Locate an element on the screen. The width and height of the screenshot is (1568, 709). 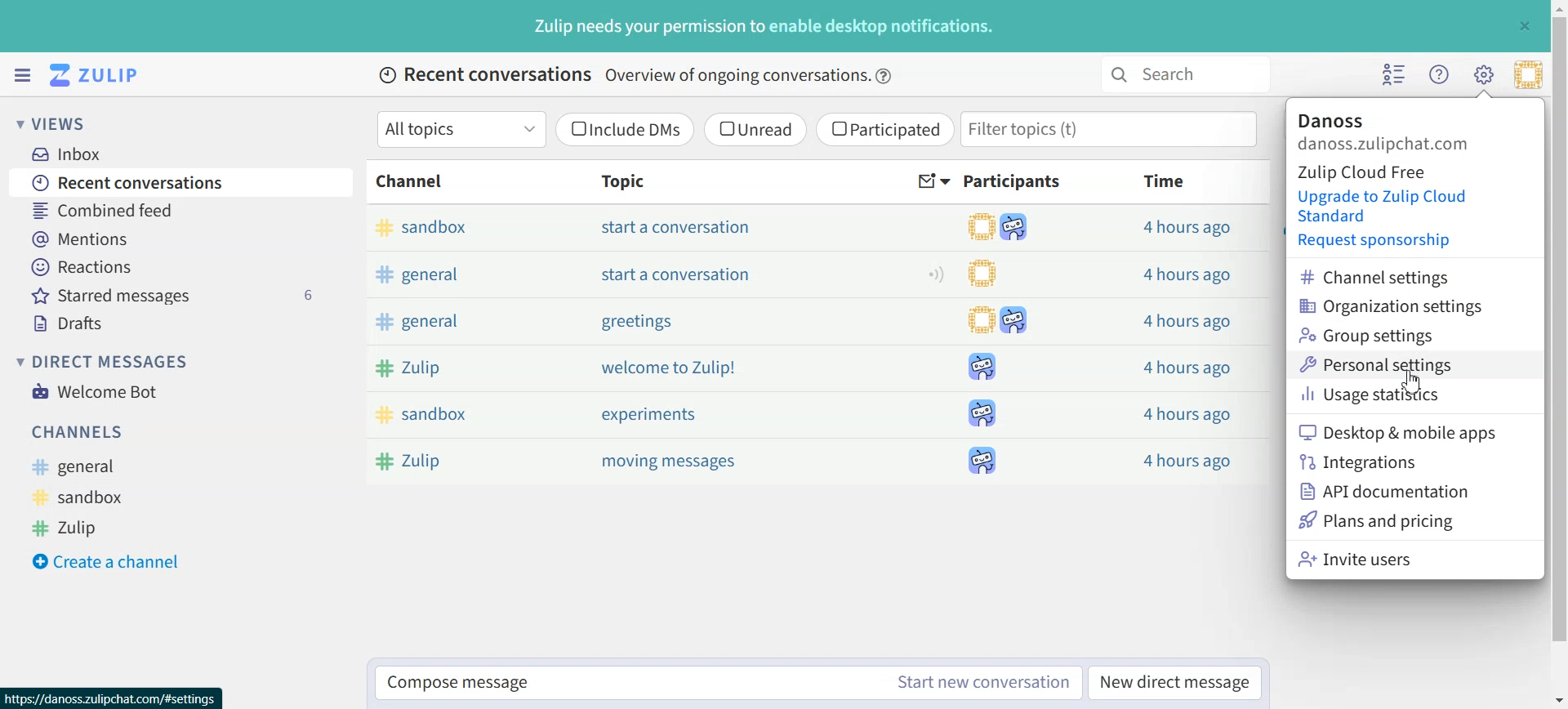
#general is located at coordinates (461, 323).